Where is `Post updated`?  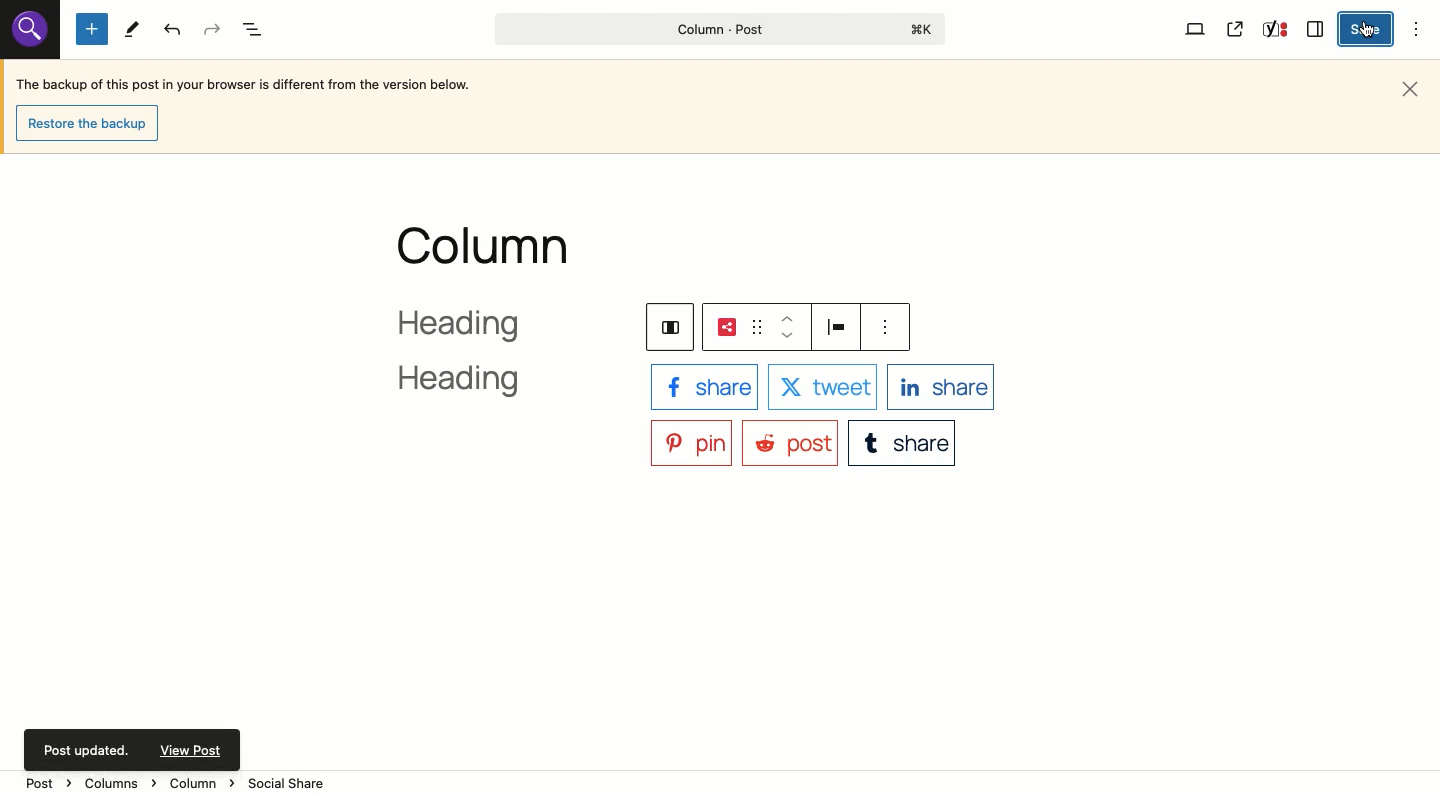 Post updated is located at coordinates (135, 747).